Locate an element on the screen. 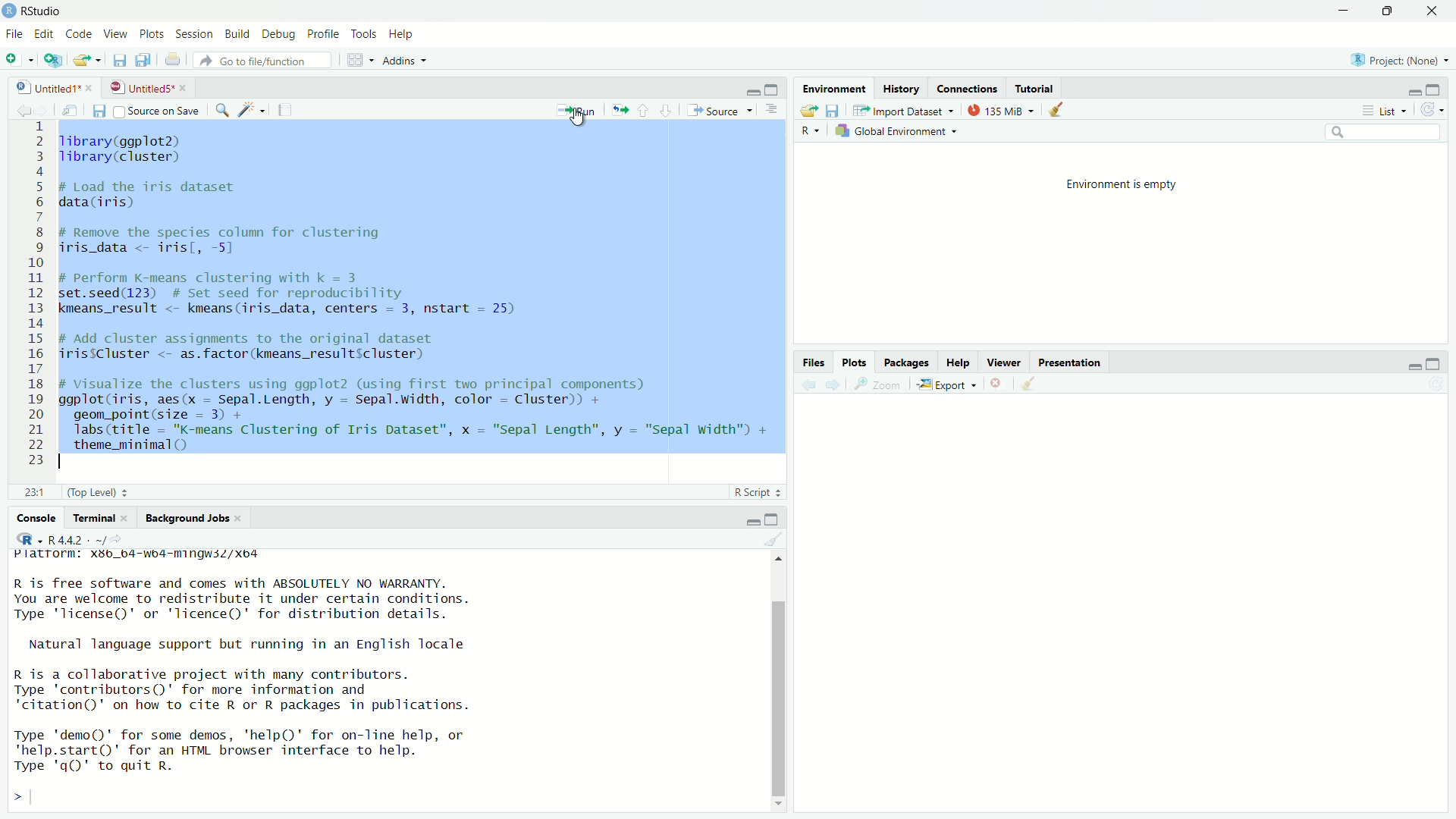 This screenshot has width=1456, height=819. workspace panes is located at coordinates (358, 60).